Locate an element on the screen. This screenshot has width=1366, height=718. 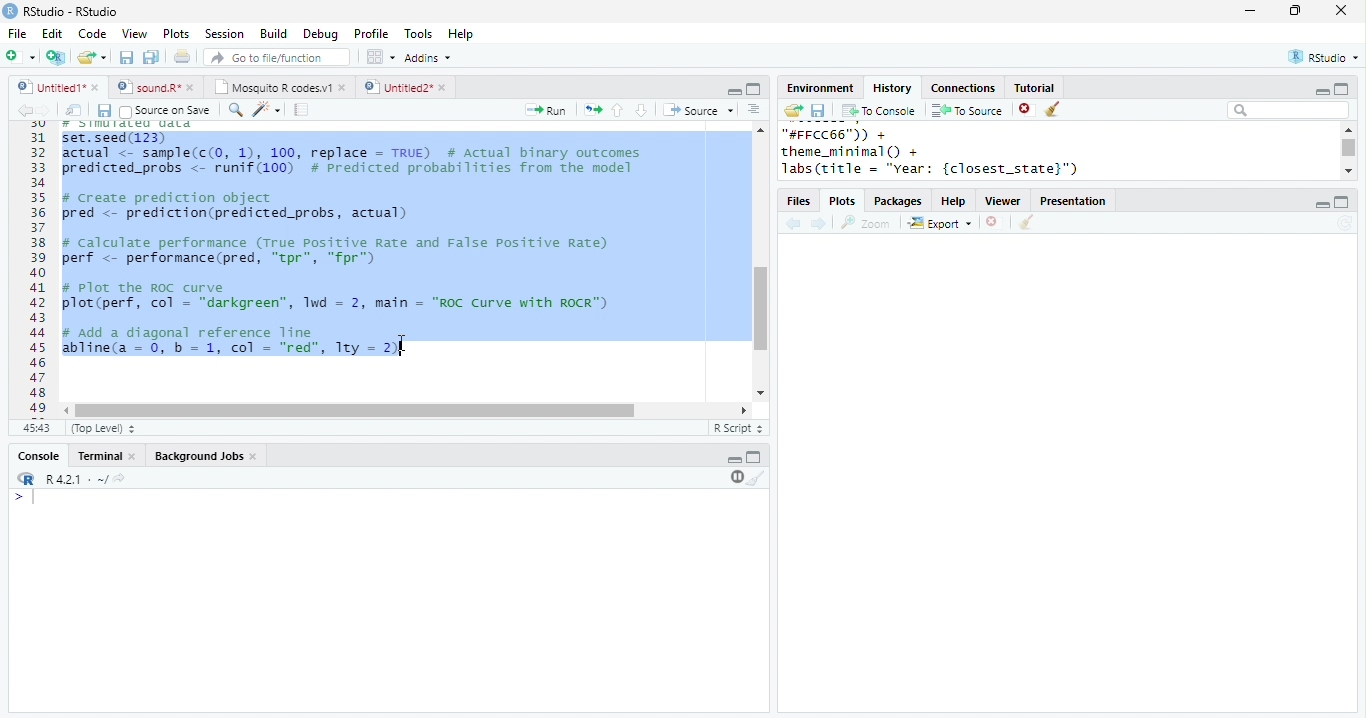
Code is located at coordinates (92, 33).